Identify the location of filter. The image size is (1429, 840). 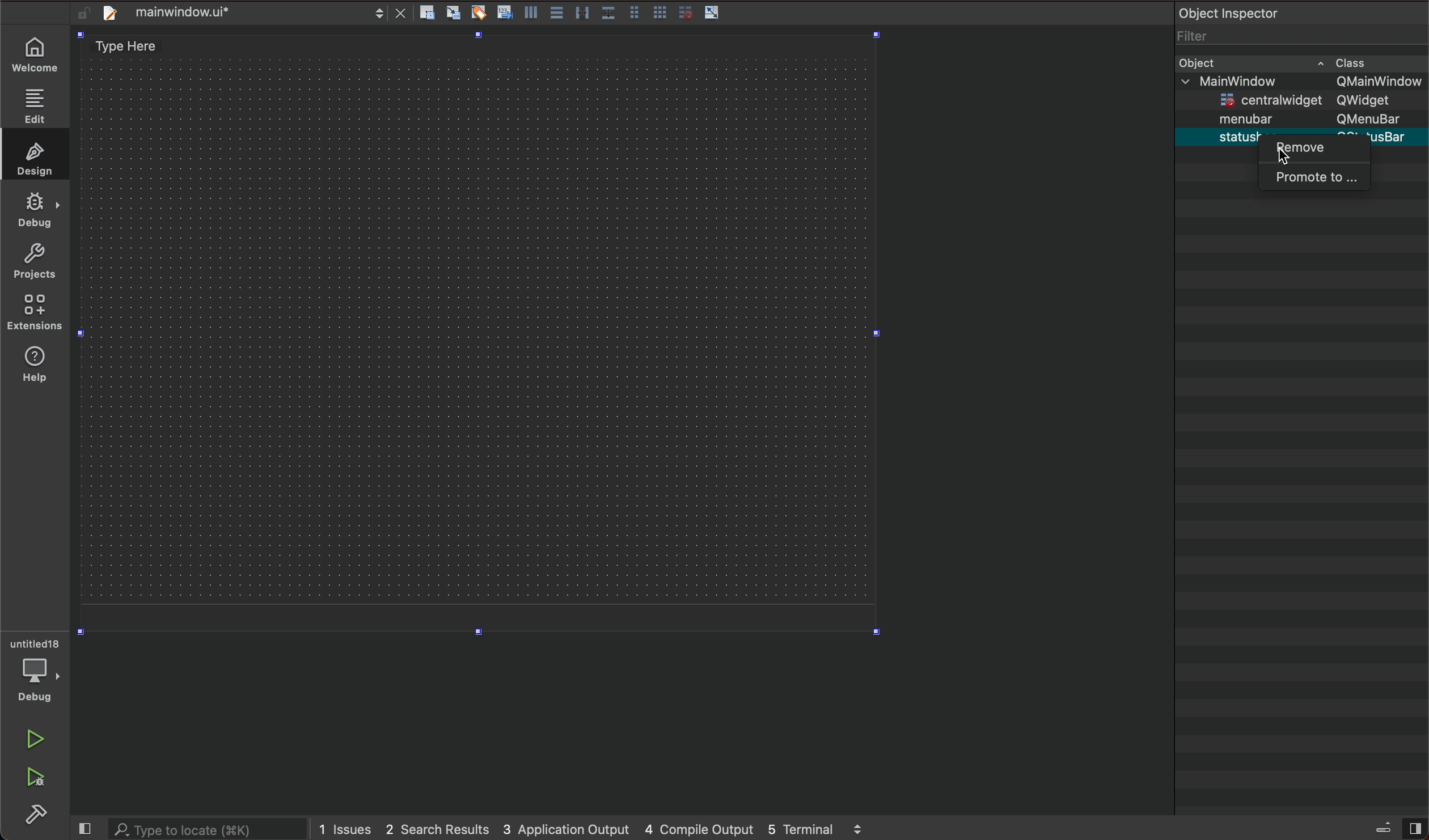
(1189, 36).